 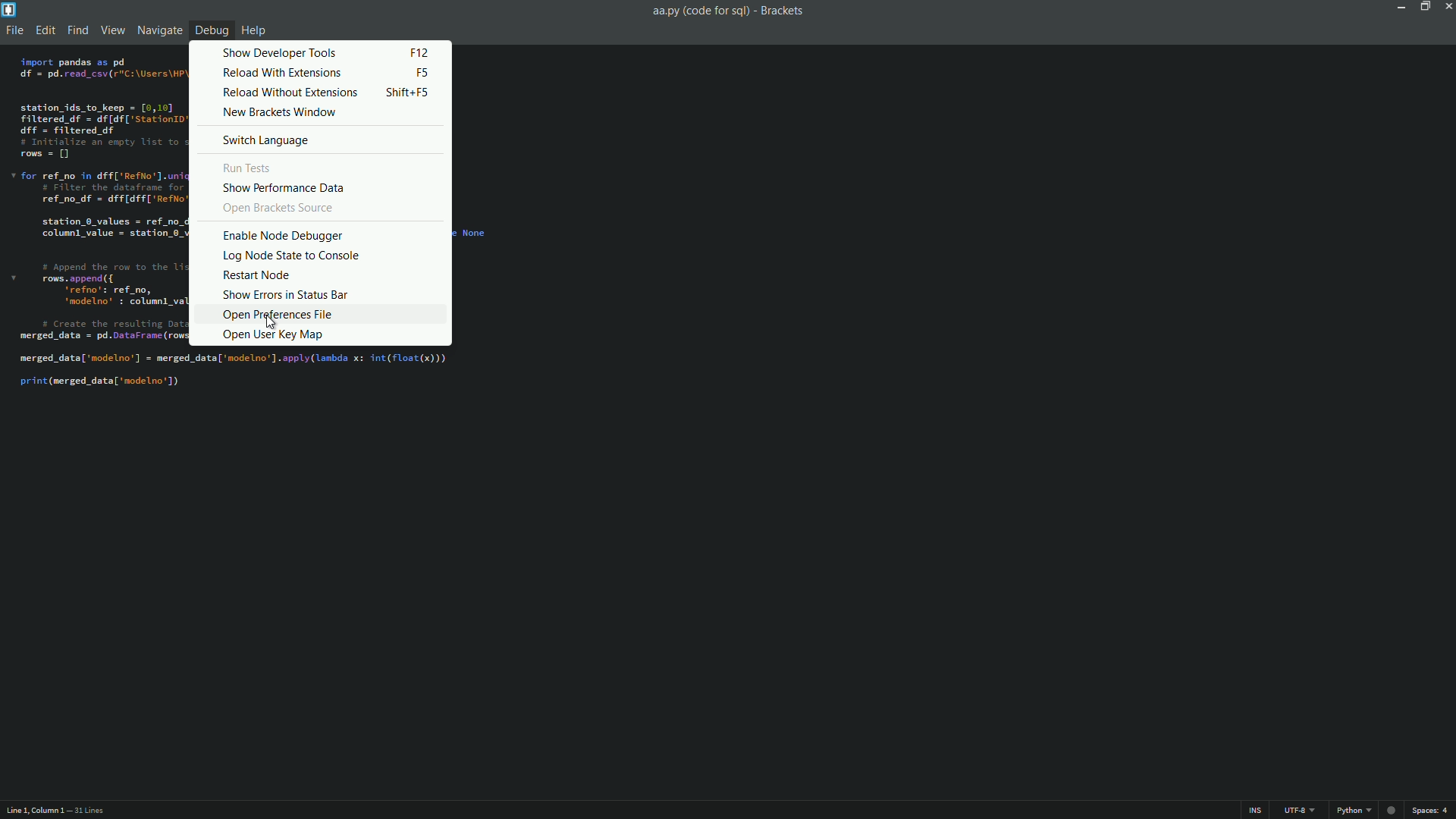 I want to click on edit menu, so click(x=45, y=30).